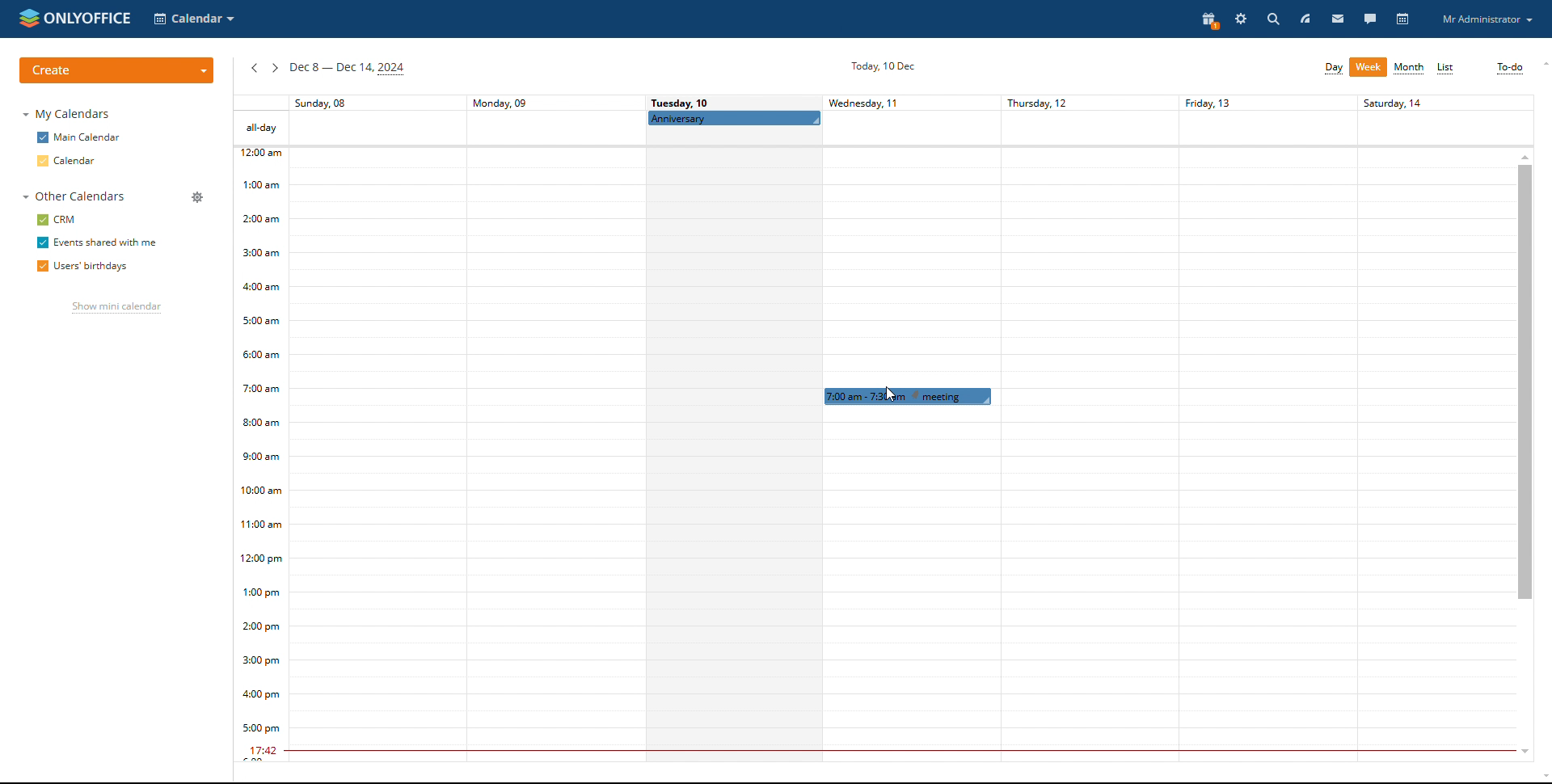 The width and height of the screenshot is (1552, 784). I want to click on calendar, so click(69, 160).